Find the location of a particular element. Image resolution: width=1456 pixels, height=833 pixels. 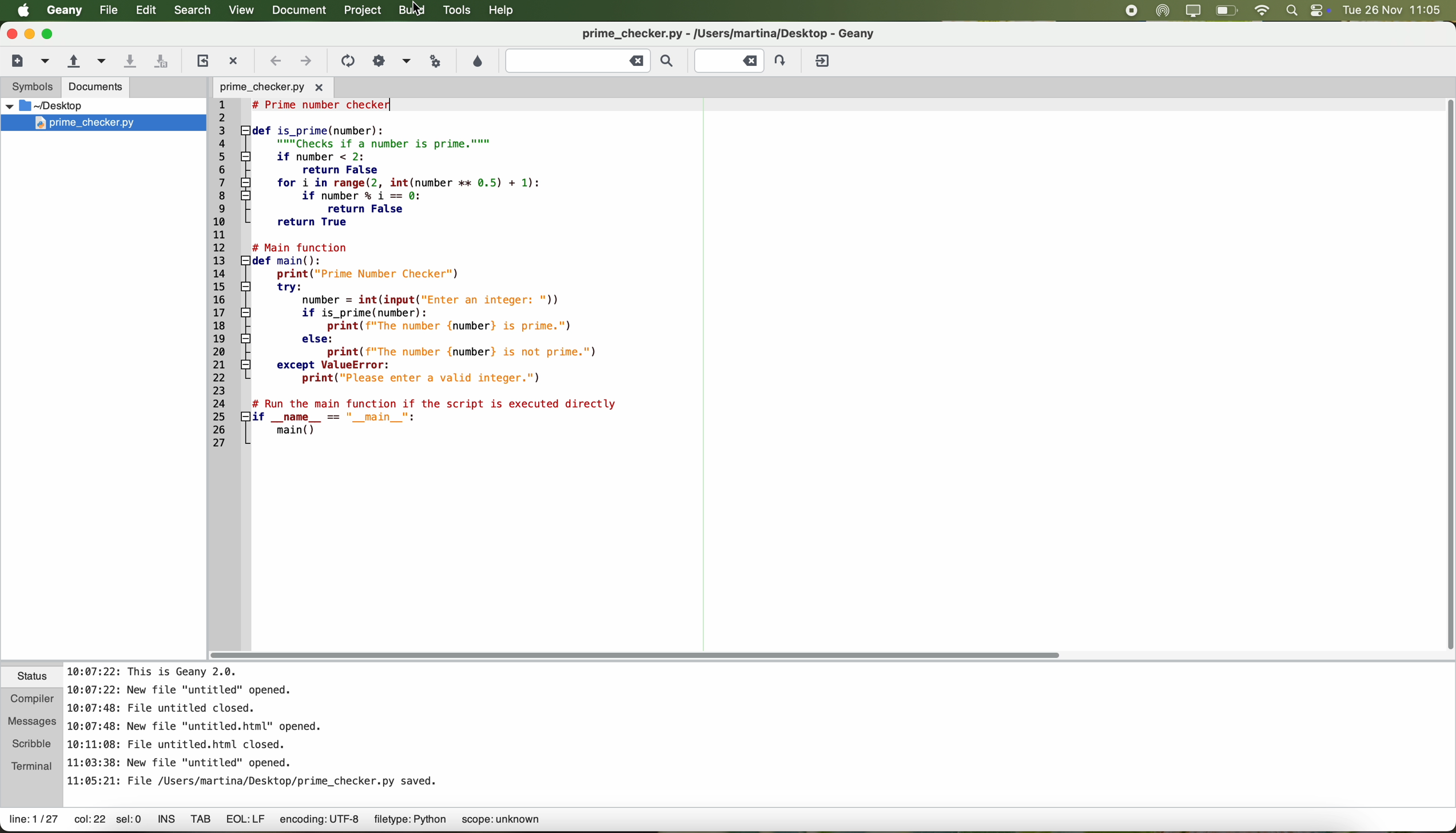

notes is located at coordinates (254, 724).